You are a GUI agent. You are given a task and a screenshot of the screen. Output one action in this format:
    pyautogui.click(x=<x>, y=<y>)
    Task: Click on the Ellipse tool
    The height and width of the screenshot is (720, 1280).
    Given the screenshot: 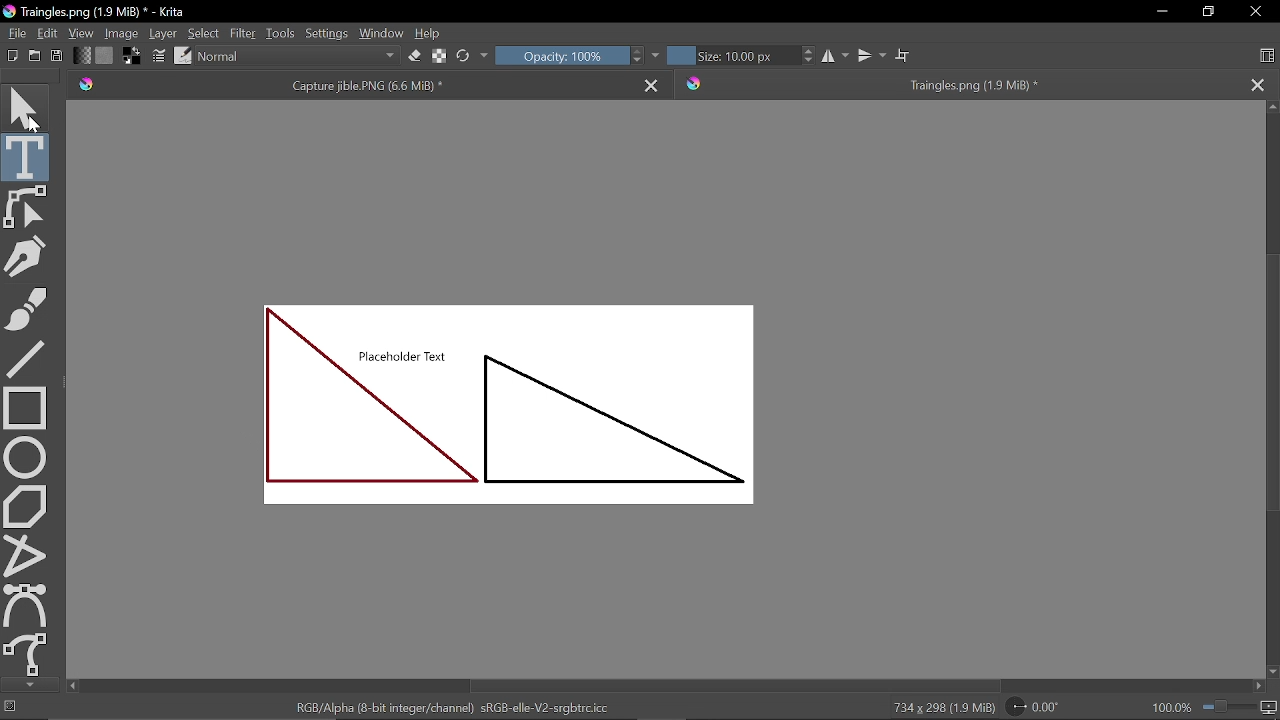 What is the action you would take?
    pyautogui.click(x=26, y=457)
    